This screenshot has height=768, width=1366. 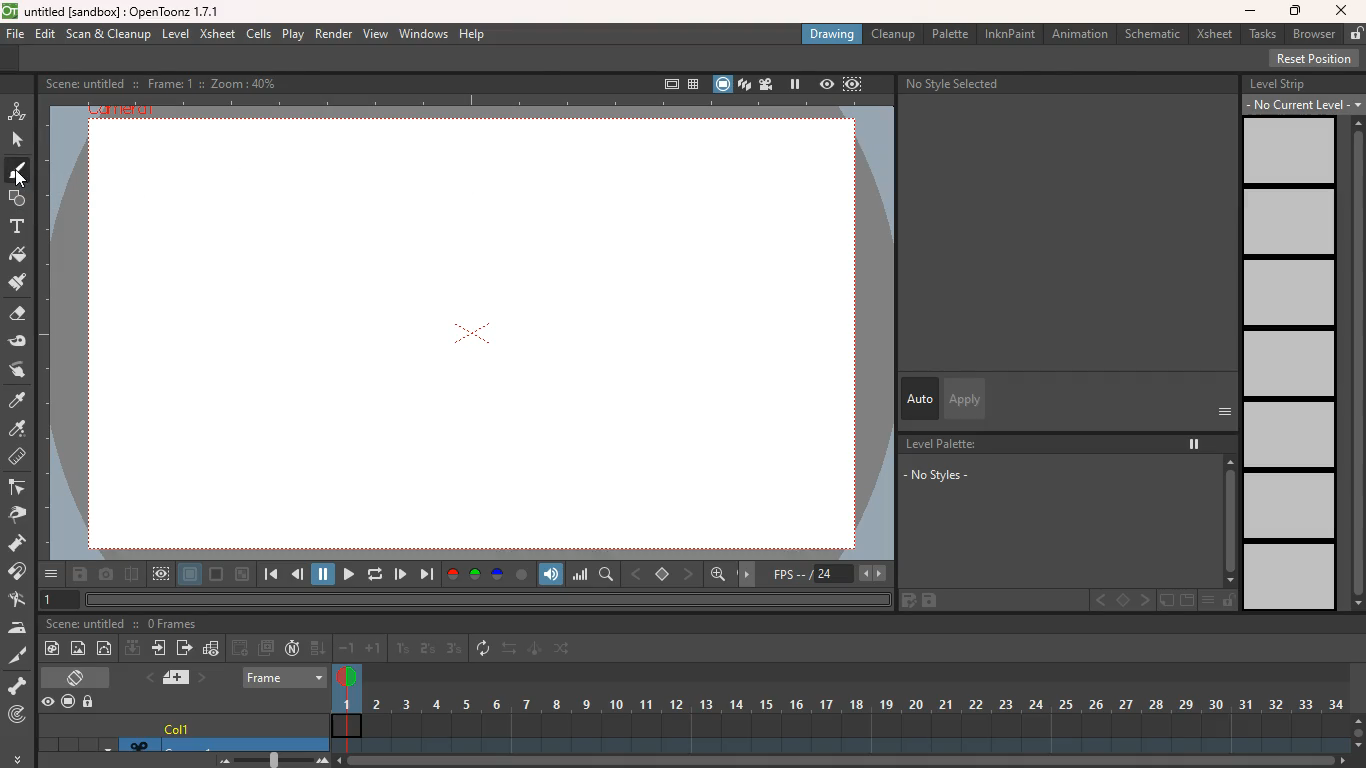 I want to click on stop, so click(x=664, y=575).